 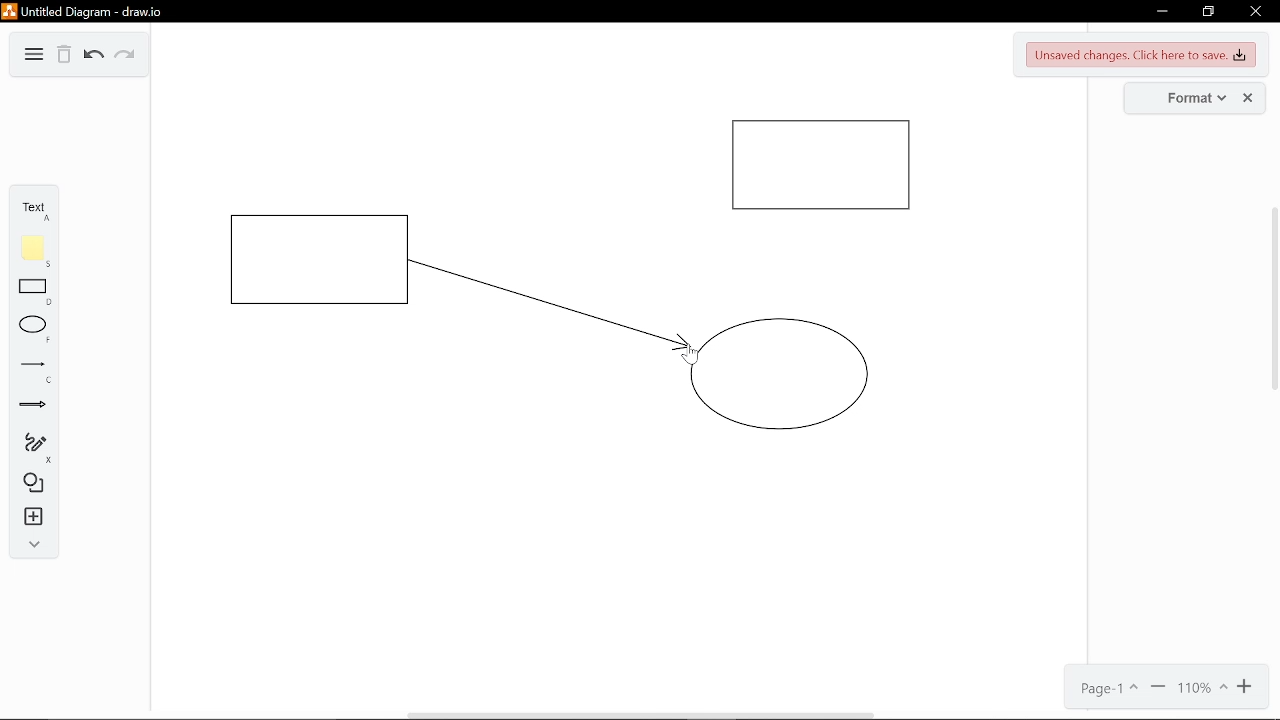 I want to click on Zoom out, so click(x=1156, y=689).